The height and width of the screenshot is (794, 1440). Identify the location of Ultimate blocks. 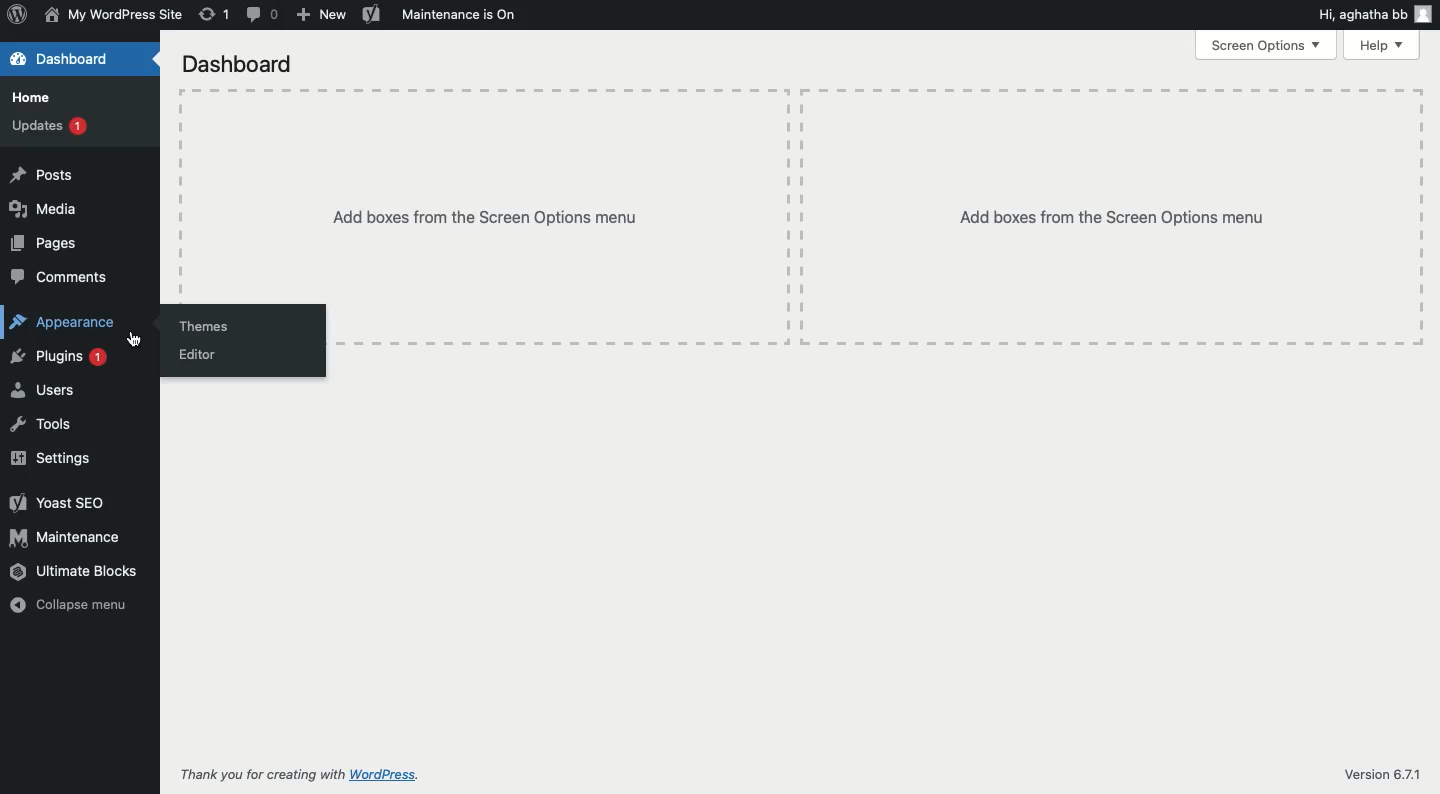
(77, 571).